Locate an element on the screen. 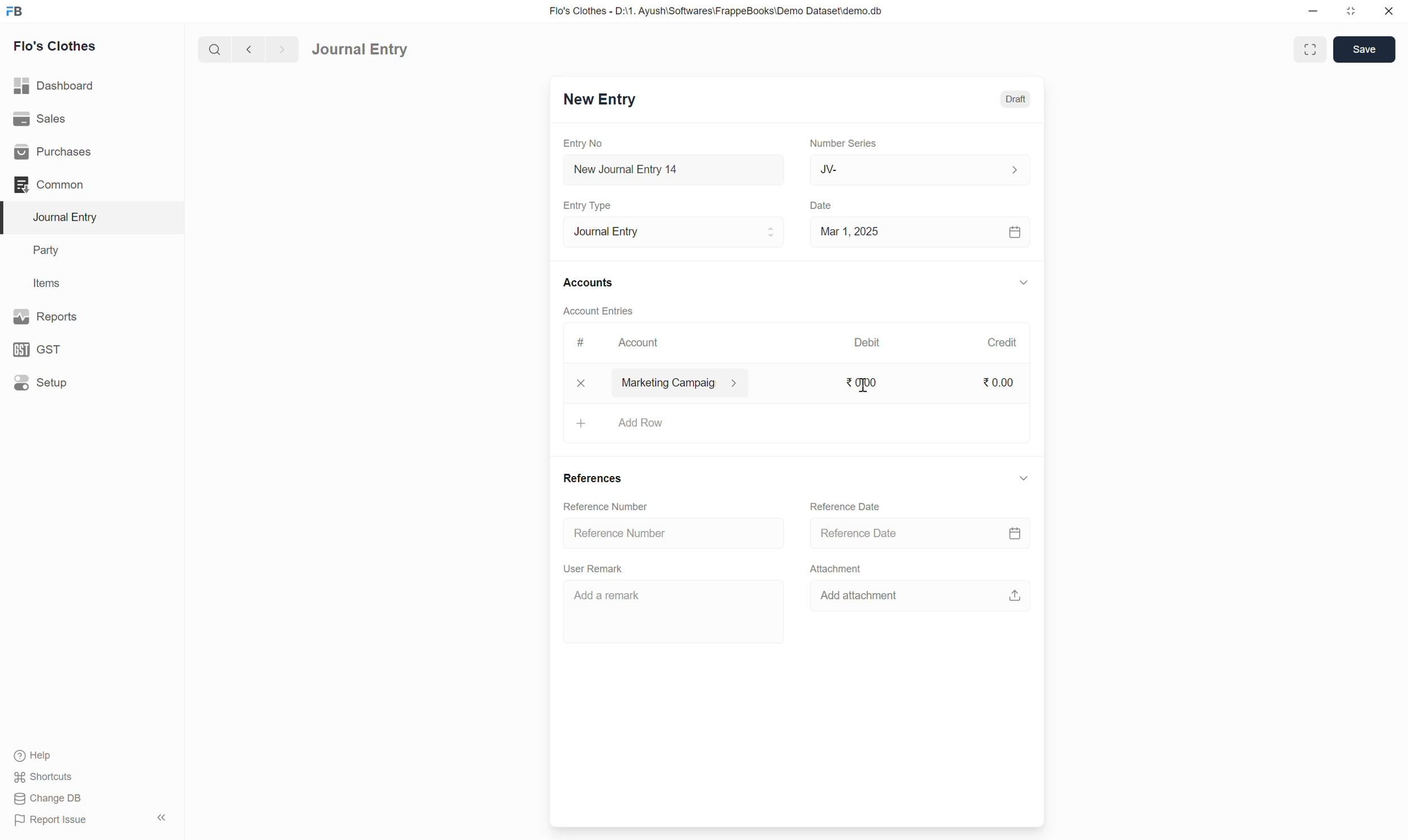 The height and width of the screenshot is (840, 1408). Attachment is located at coordinates (837, 568).